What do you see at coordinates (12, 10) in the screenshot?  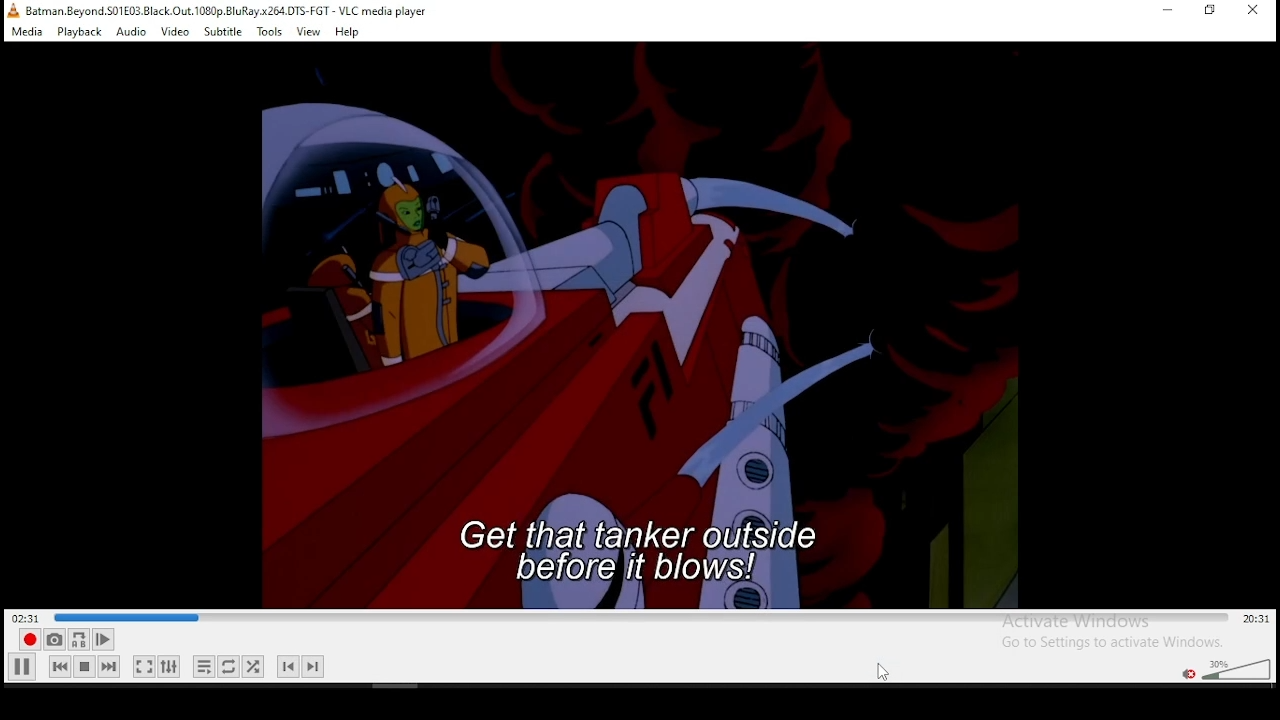 I see `VLC icon` at bounding box center [12, 10].